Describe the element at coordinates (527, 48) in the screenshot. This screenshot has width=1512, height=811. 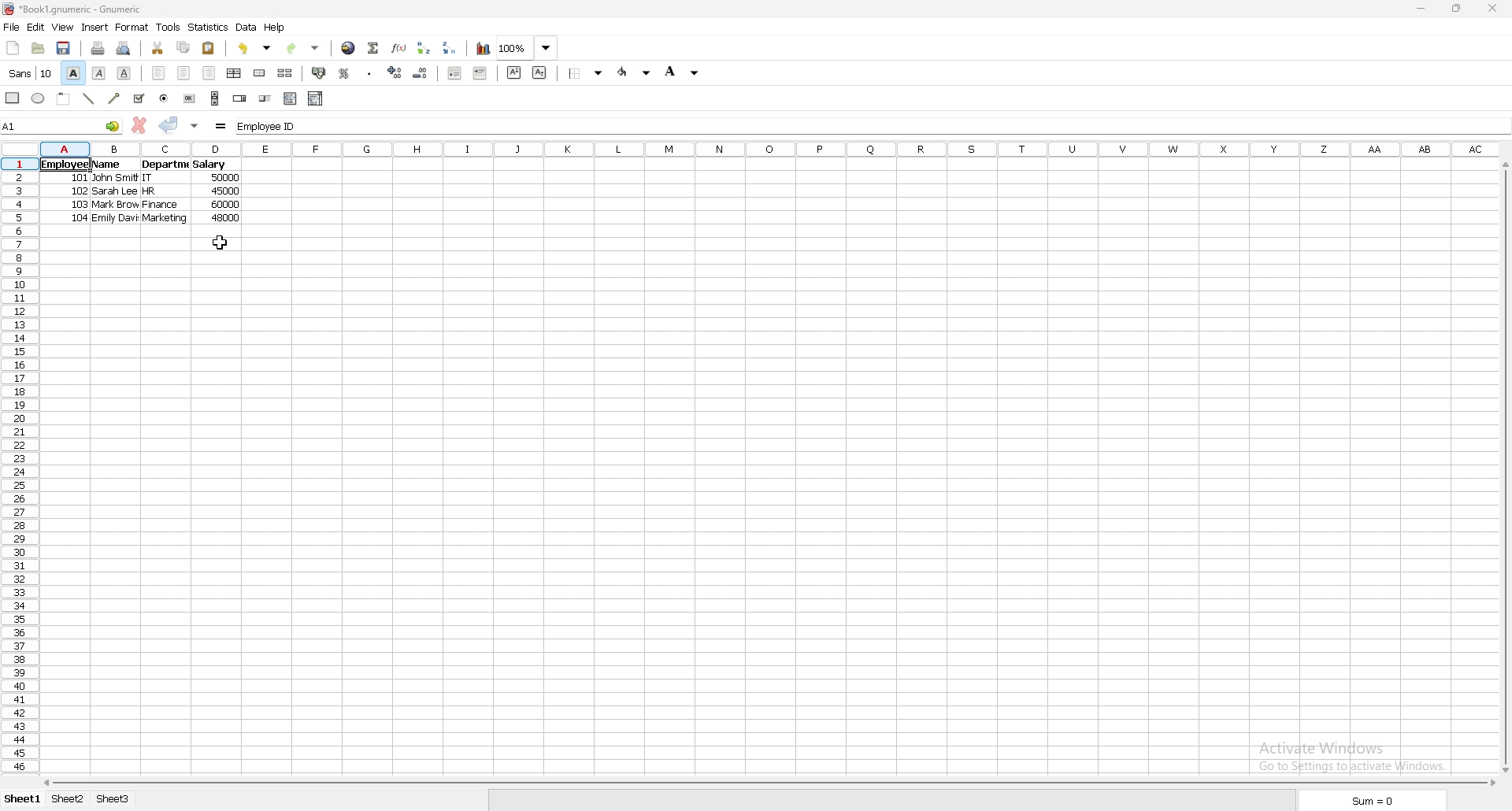
I see `100%` at that location.